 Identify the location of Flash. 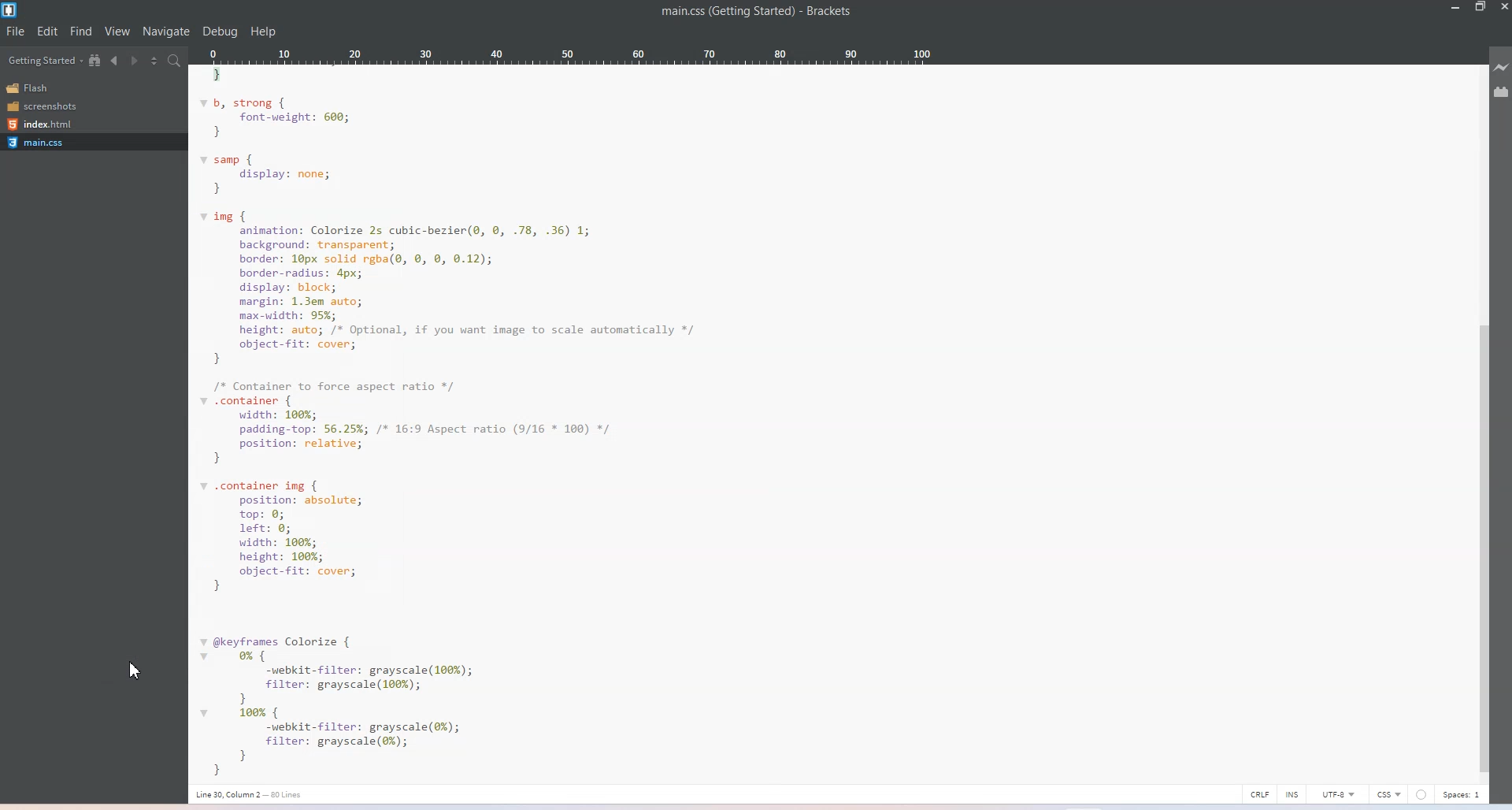
(47, 87).